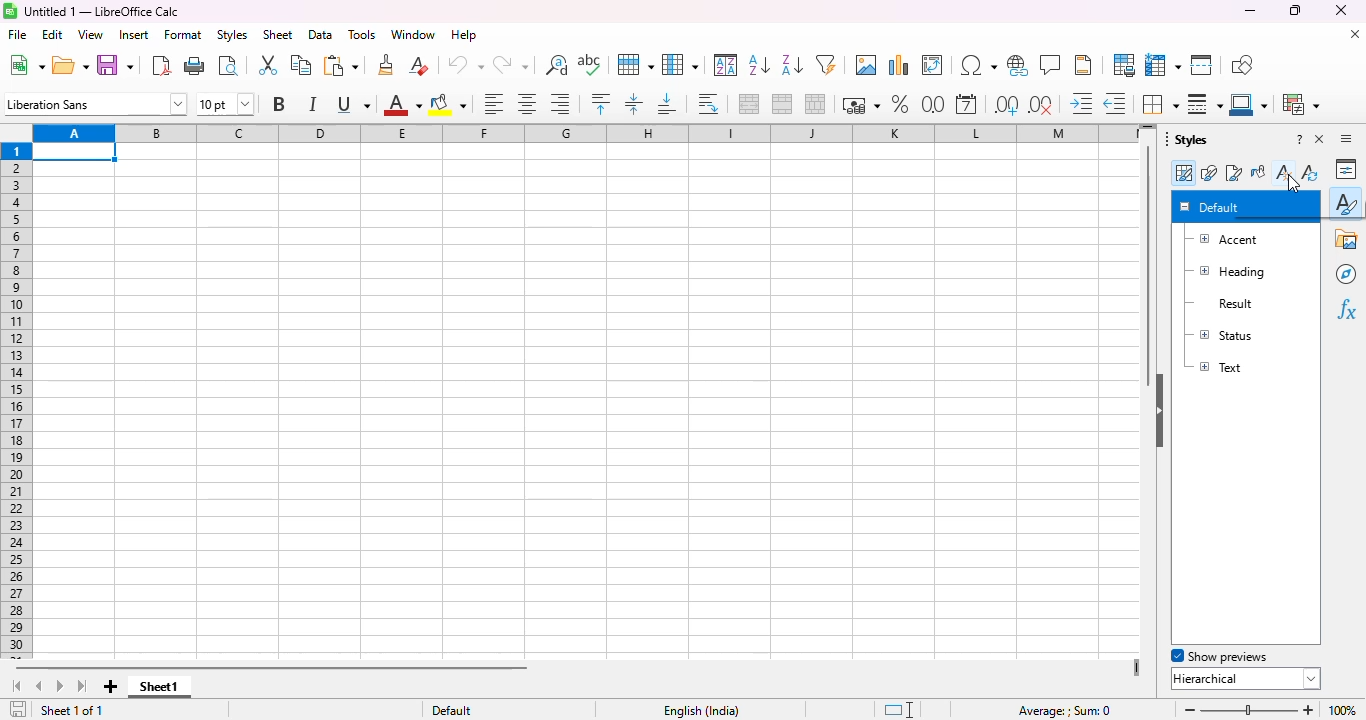  Describe the element at coordinates (1219, 304) in the screenshot. I see `result` at that location.